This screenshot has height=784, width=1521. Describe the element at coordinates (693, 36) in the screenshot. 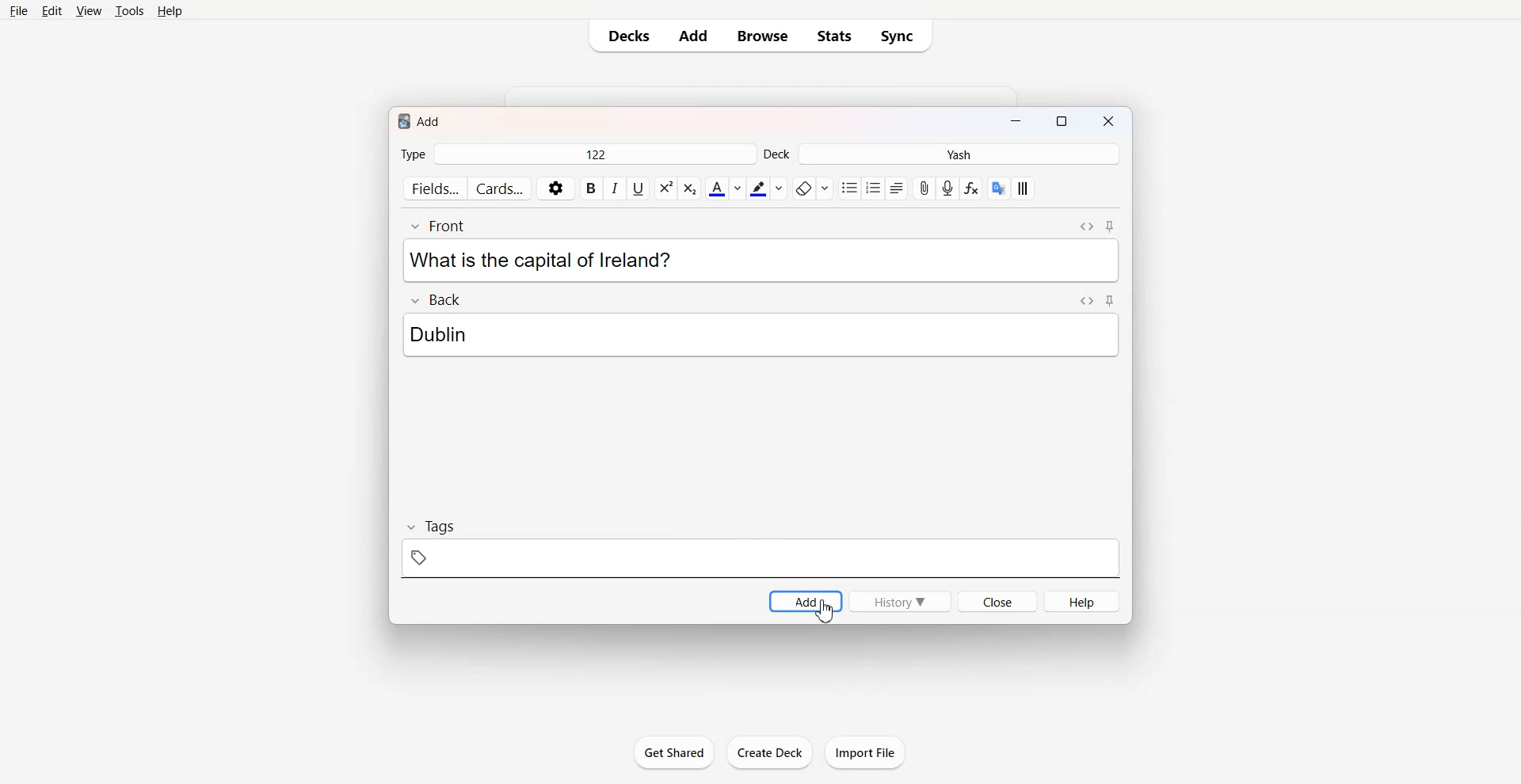

I see `Add` at that location.